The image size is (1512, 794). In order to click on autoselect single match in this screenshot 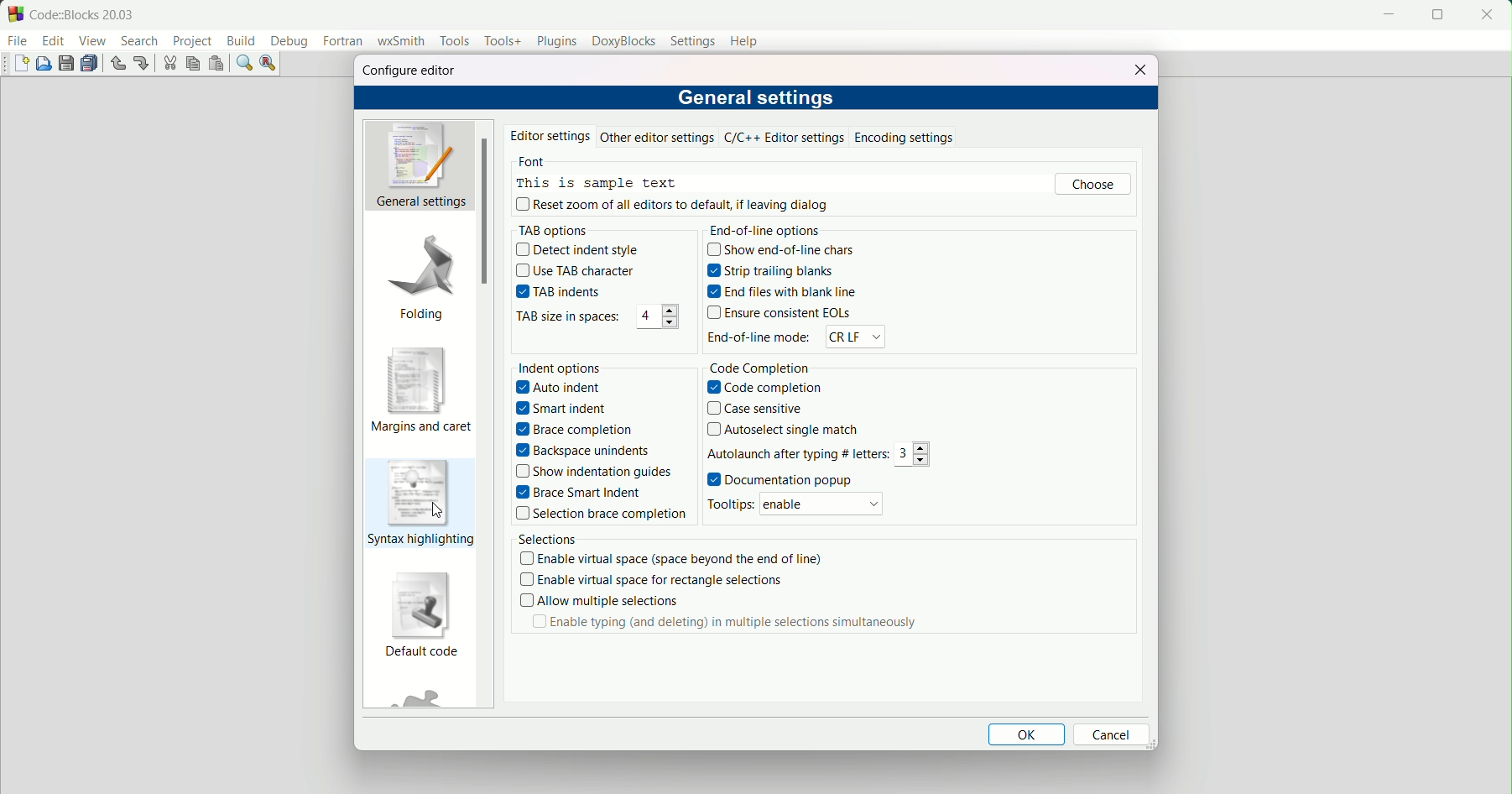, I will do `click(783, 431)`.